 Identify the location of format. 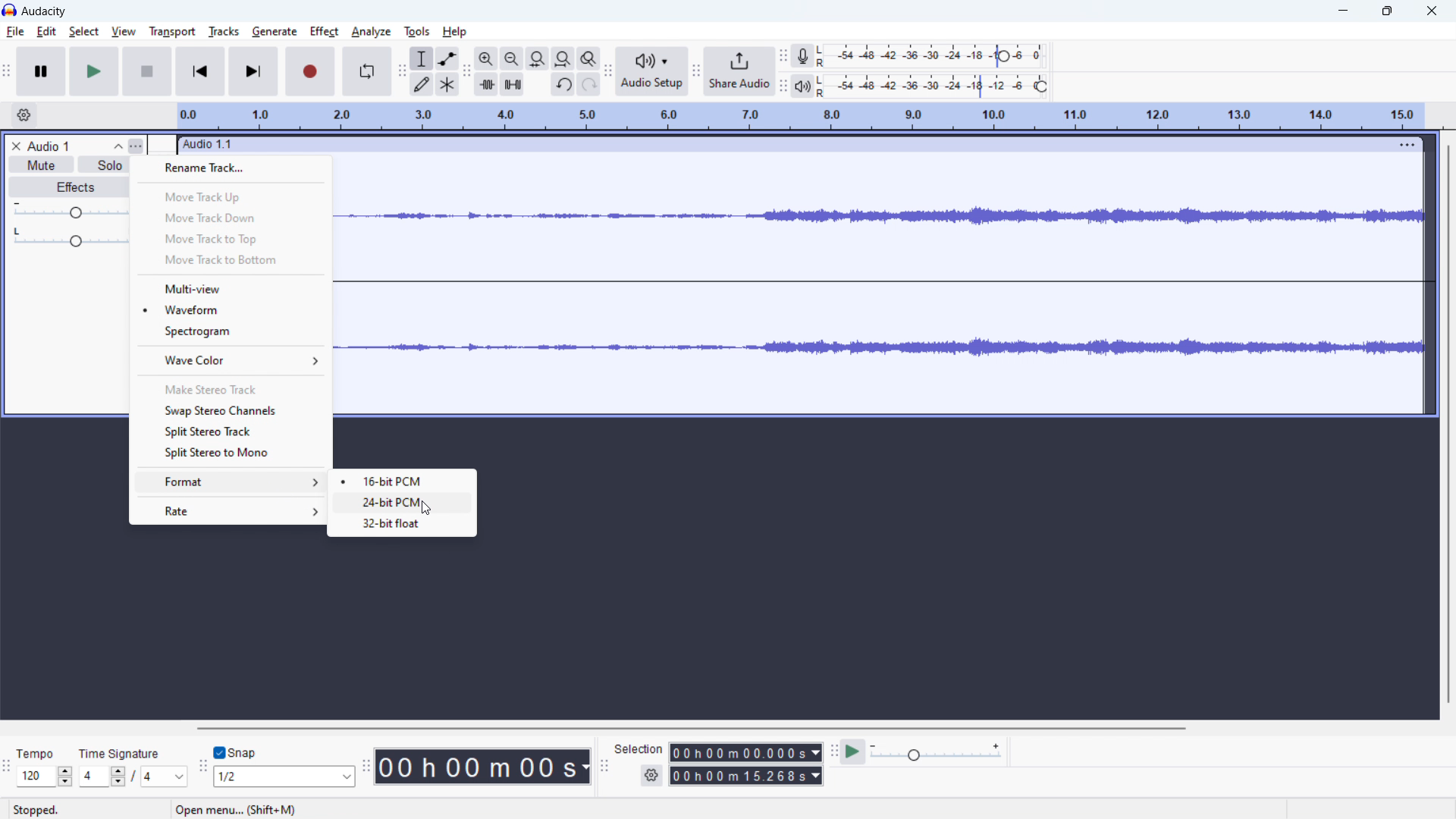
(227, 483).